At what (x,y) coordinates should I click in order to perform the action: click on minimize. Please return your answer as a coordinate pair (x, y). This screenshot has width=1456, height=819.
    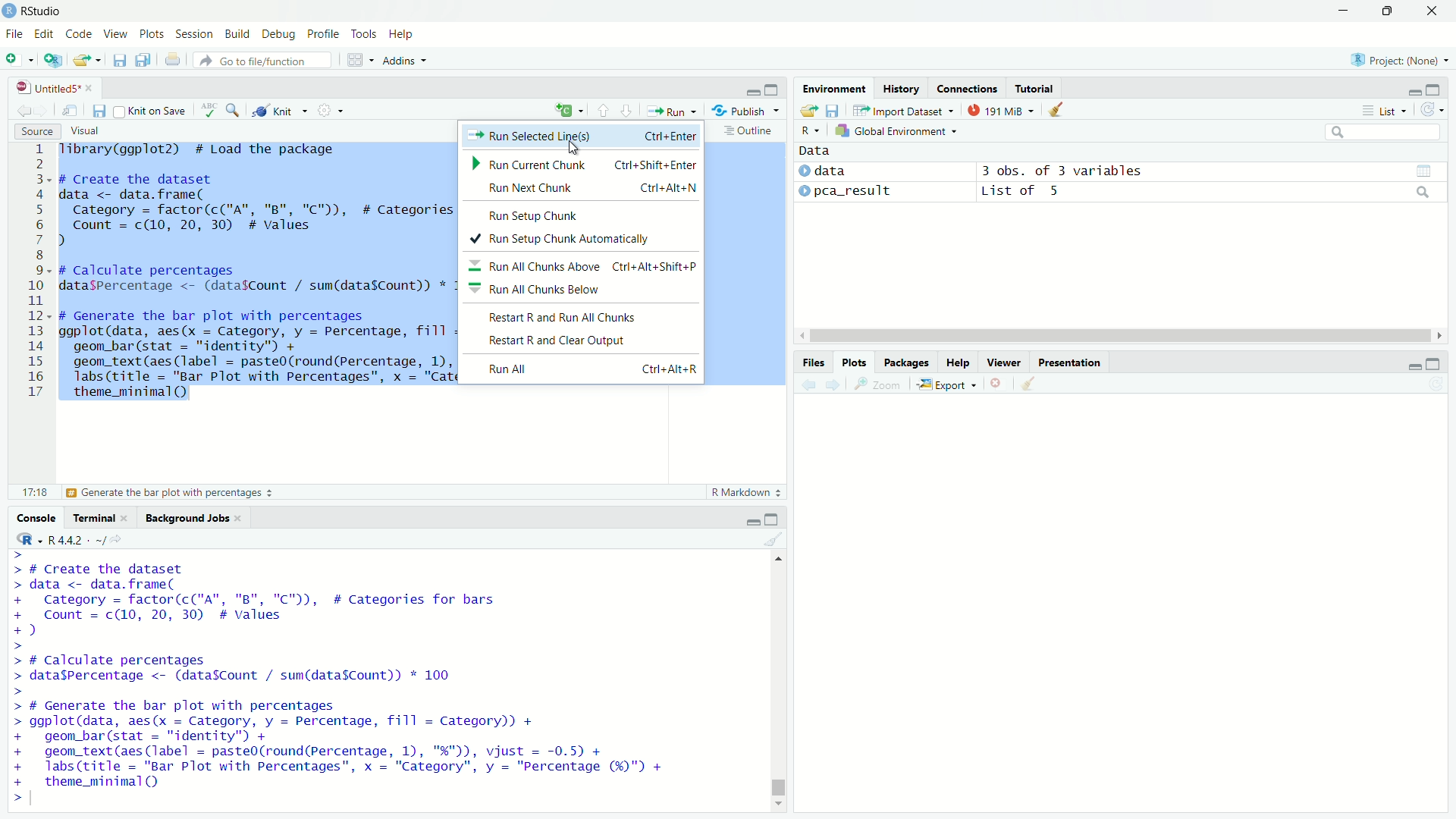
    Looking at the image, I should click on (753, 518).